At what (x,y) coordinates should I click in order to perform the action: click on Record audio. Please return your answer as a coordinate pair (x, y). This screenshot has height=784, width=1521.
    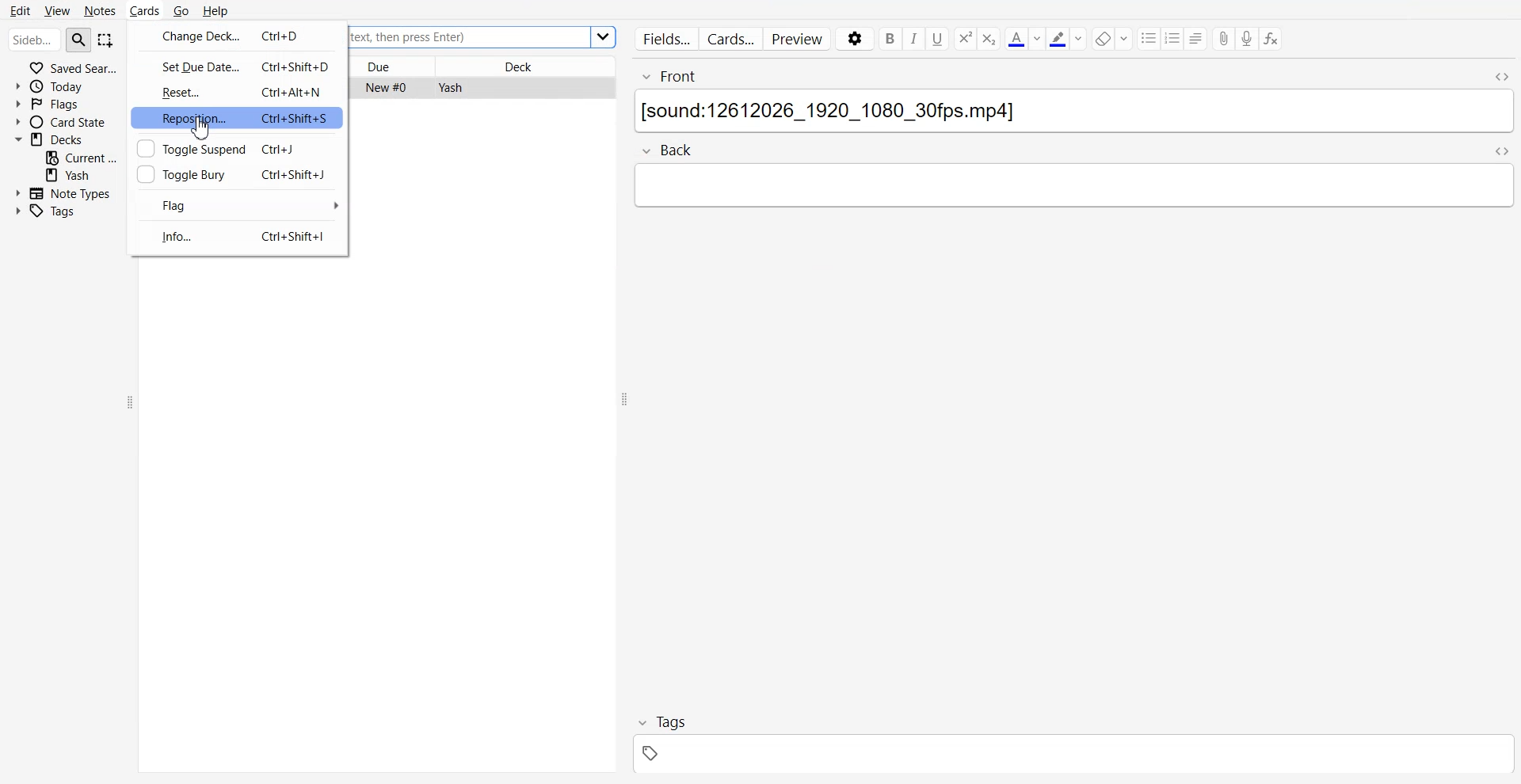
    Looking at the image, I should click on (1248, 39).